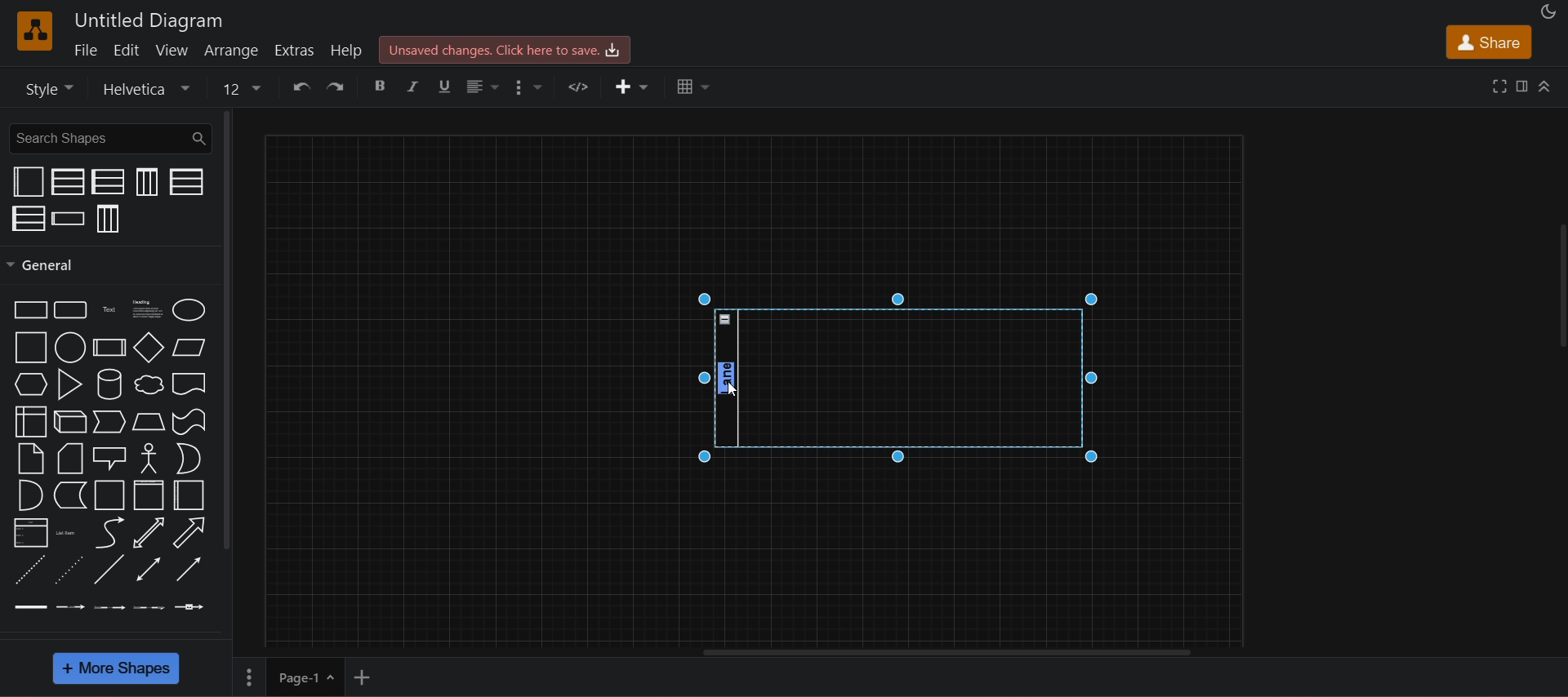 The height and width of the screenshot is (697, 1568). What do you see at coordinates (125, 50) in the screenshot?
I see `edit` at bounding box center [125, 50].